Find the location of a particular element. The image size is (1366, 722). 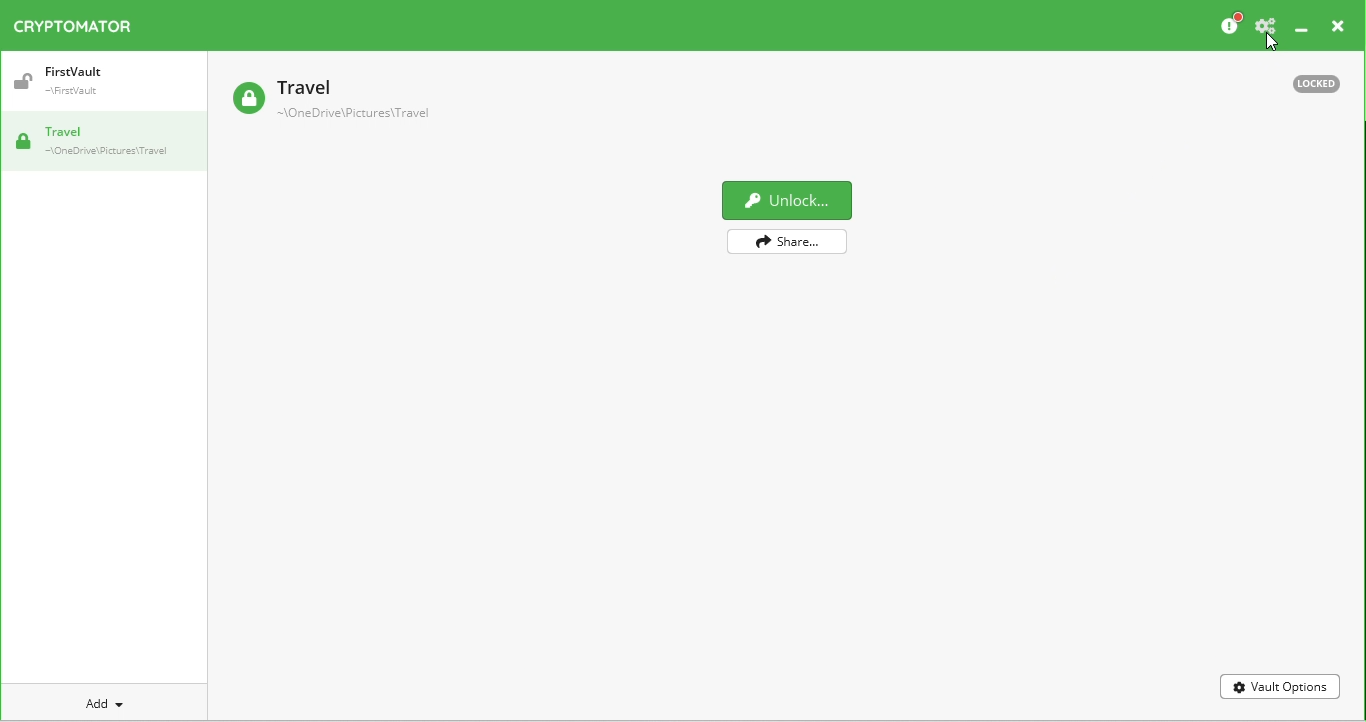

Please consider donating  is located at coordinates (1232, 24).